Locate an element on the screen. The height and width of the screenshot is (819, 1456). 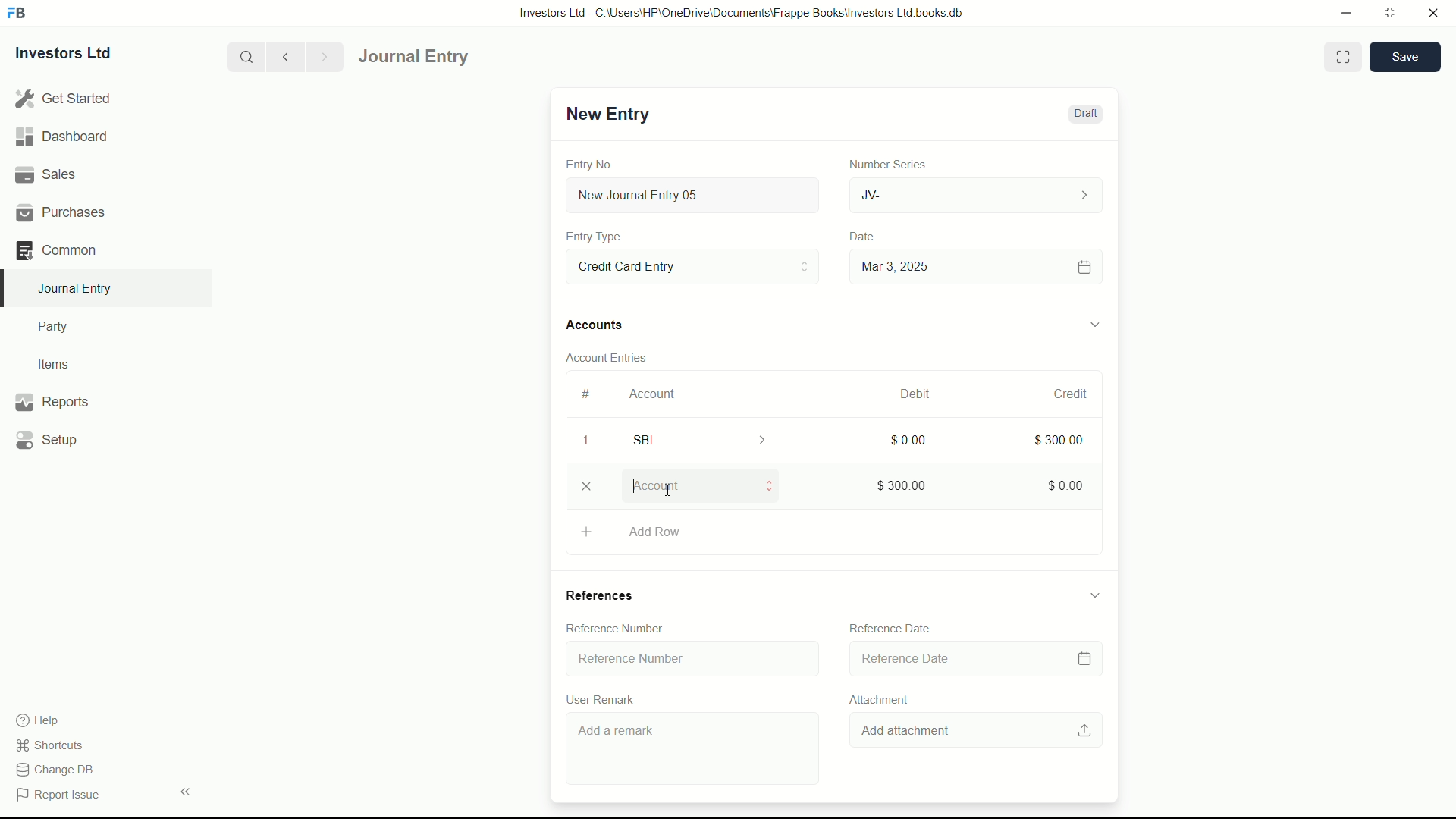
# is located at coordinates (587, 394).